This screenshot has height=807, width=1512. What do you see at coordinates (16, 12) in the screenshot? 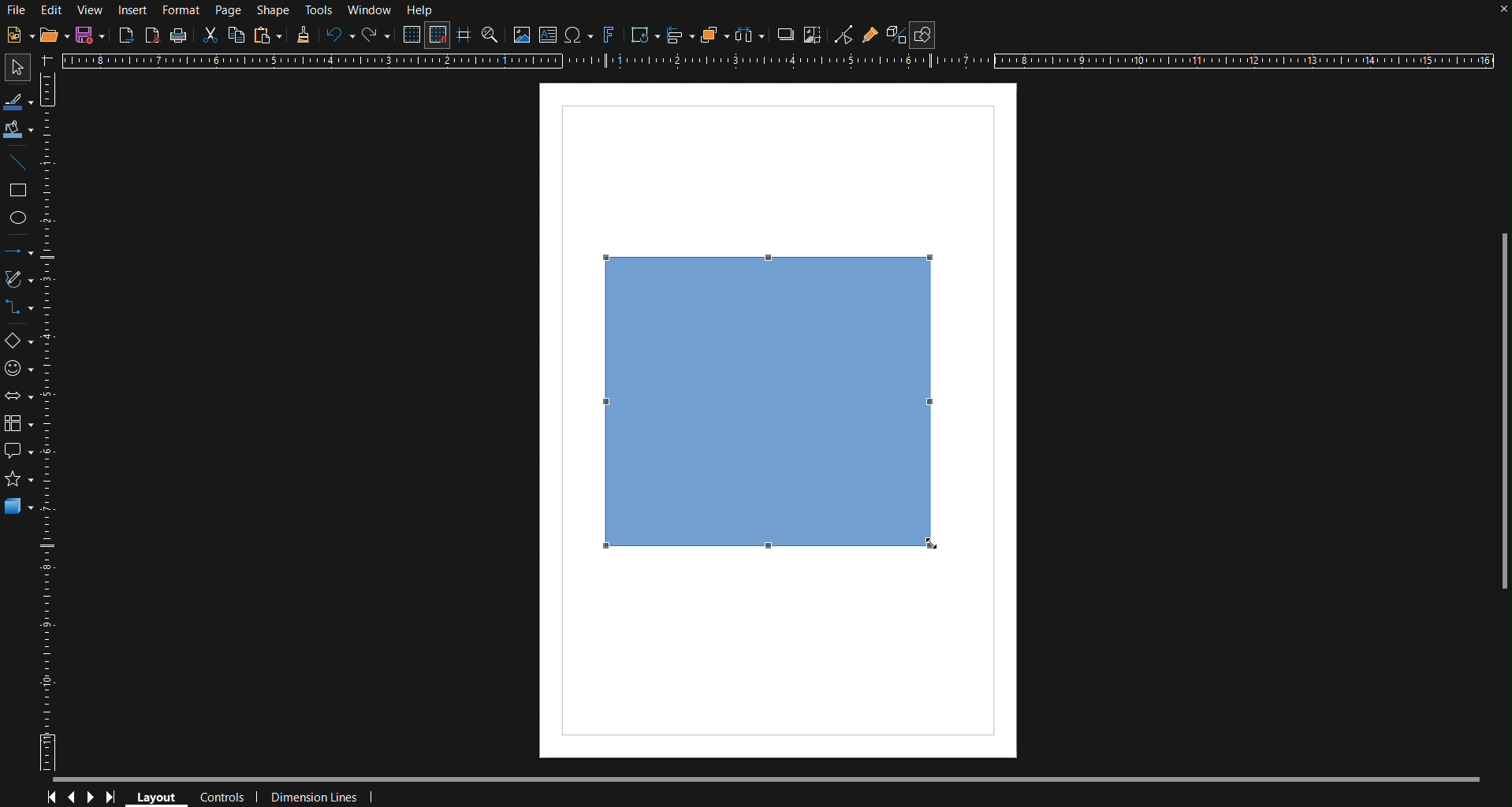
I see `File` at bounding box center [16, 12].